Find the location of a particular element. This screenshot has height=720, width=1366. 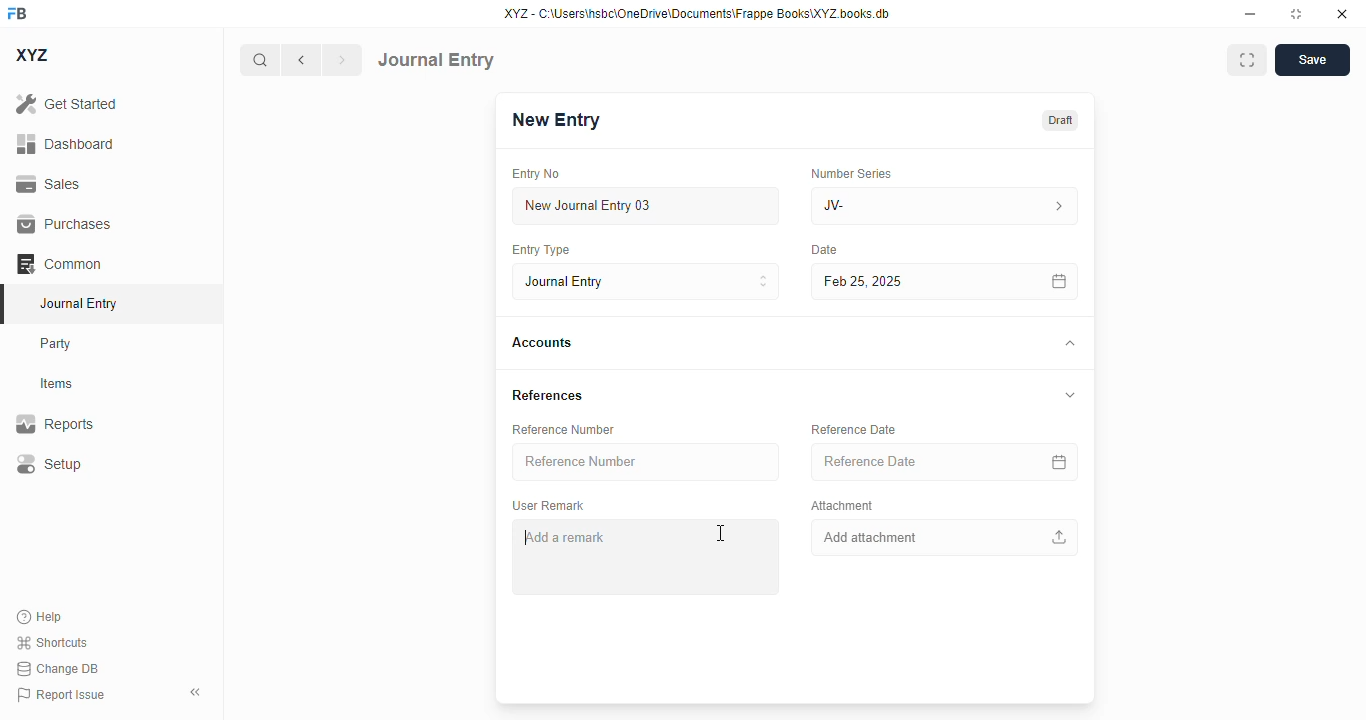

number series information is located at coordinates (1062, 207).